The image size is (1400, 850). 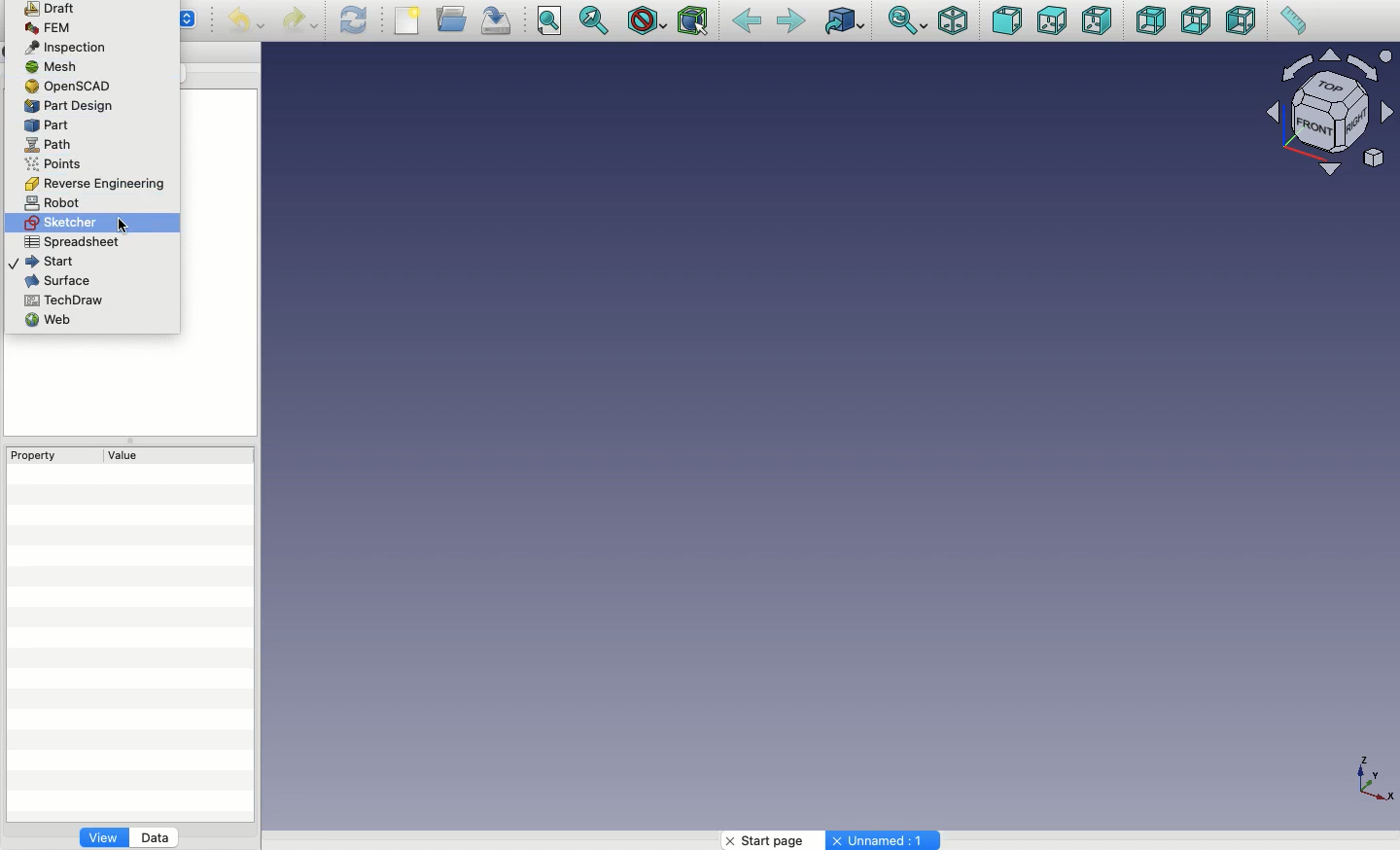 What do you see at coordinates (44, 261) in the screenshot?
I see `Start` at bounding box center [44, 261].